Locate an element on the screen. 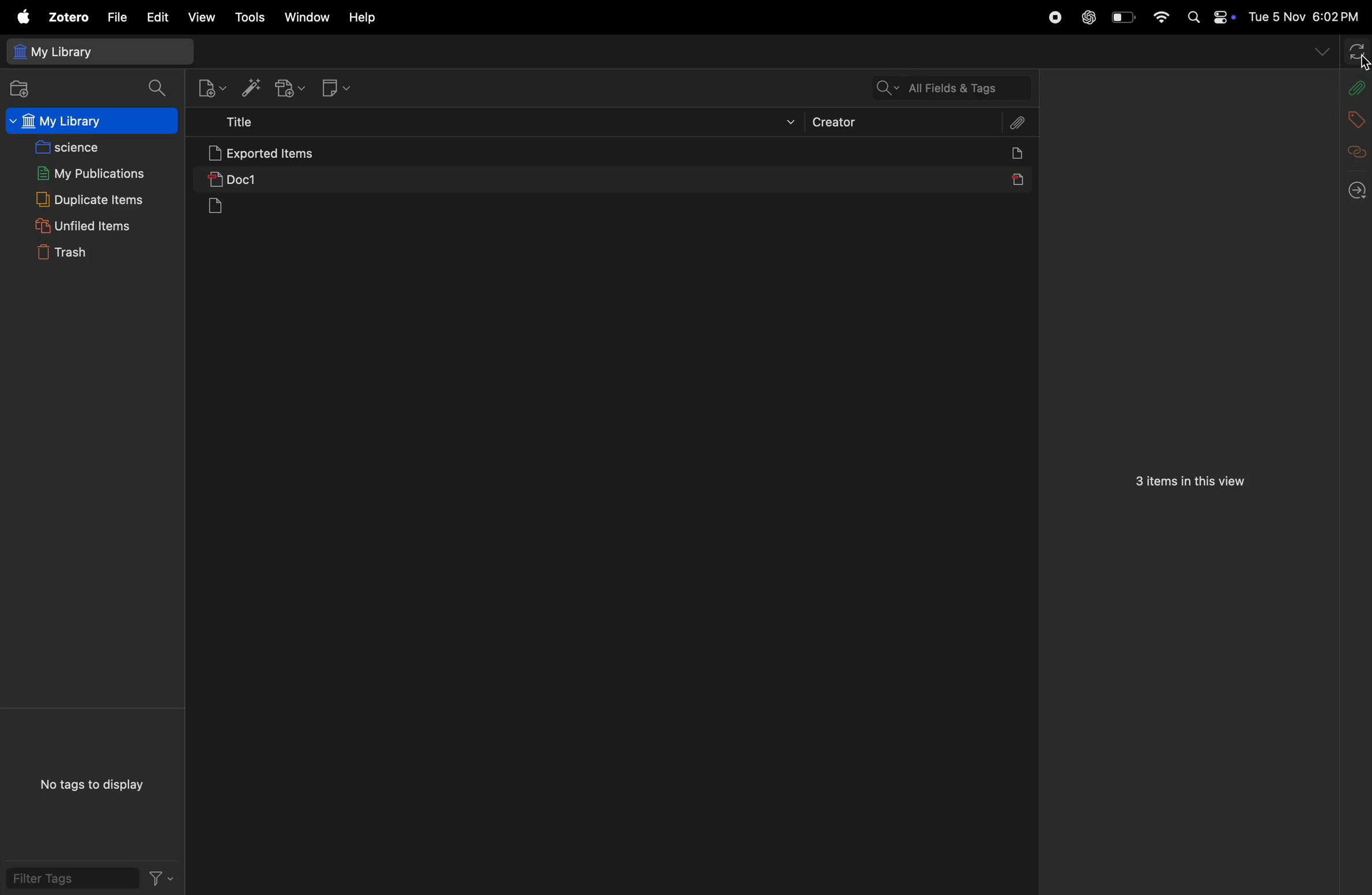 The height and width of the screenshot is (895, 1372). filter tags is located at coordinates (161, 879).